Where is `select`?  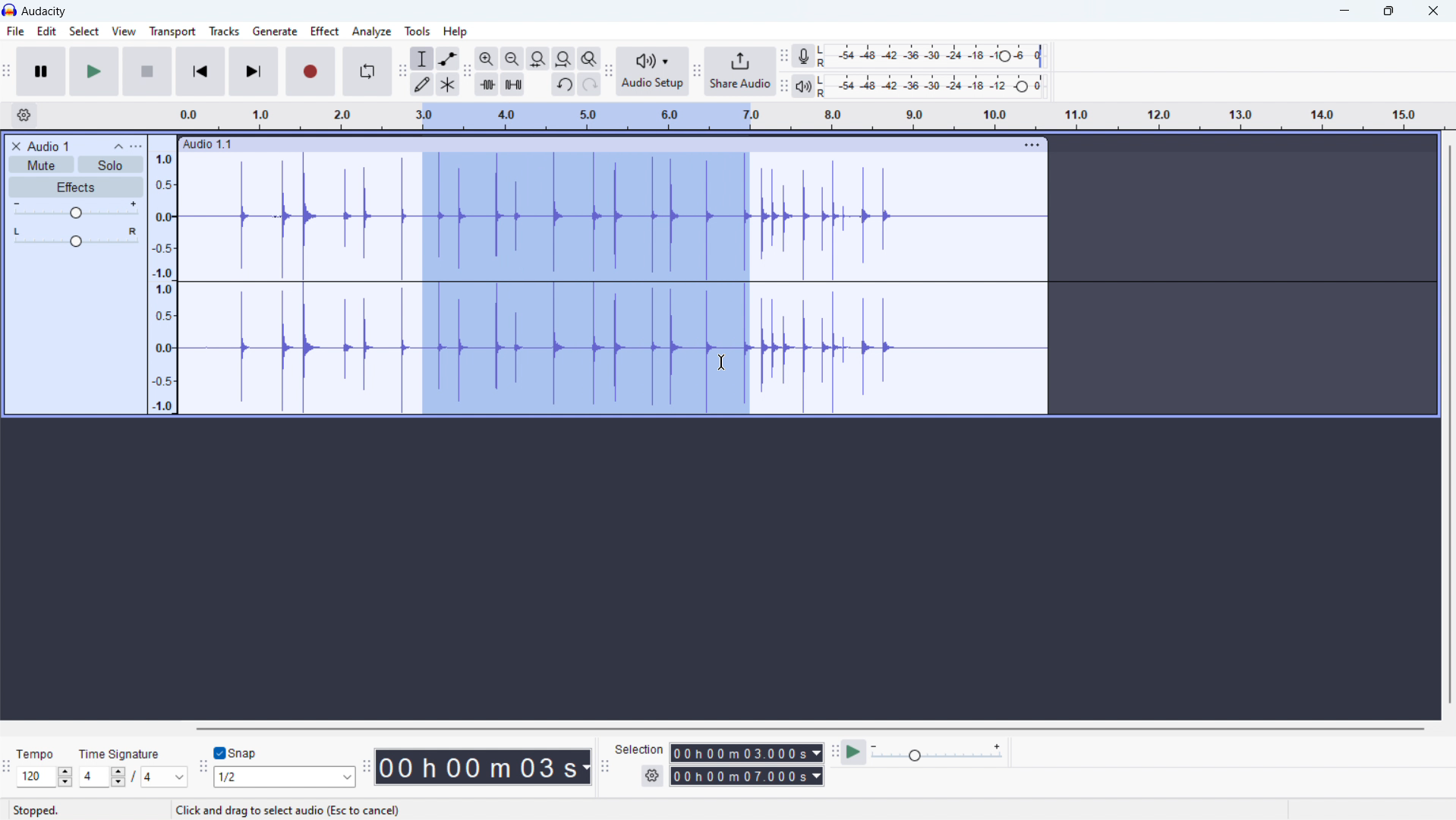
select is located at coordinates (84, 30).